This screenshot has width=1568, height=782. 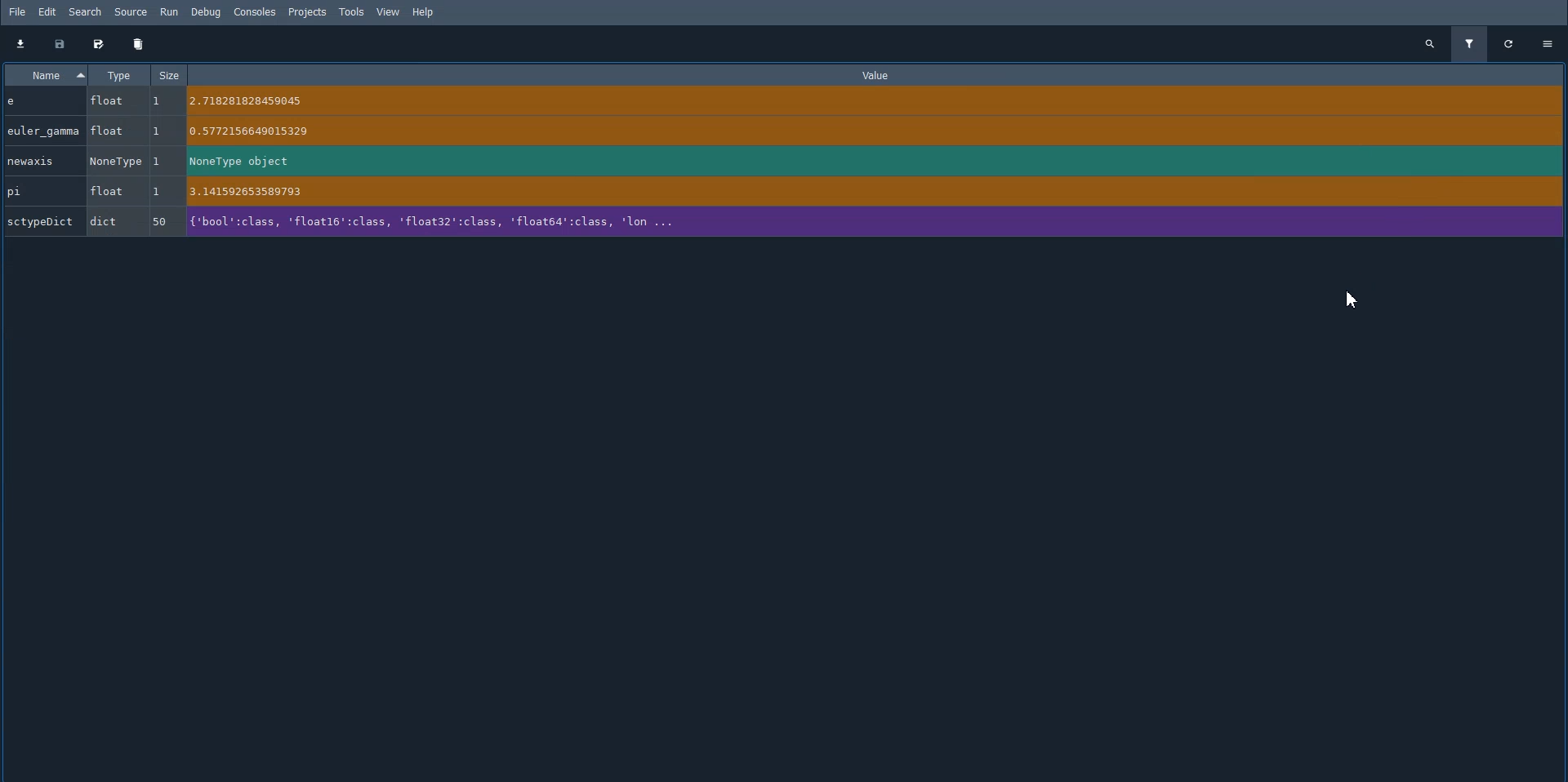 What do you see at coordinates (1549, 42) in the screenshot?
I see `Options` at bounding box center [1549, 42].